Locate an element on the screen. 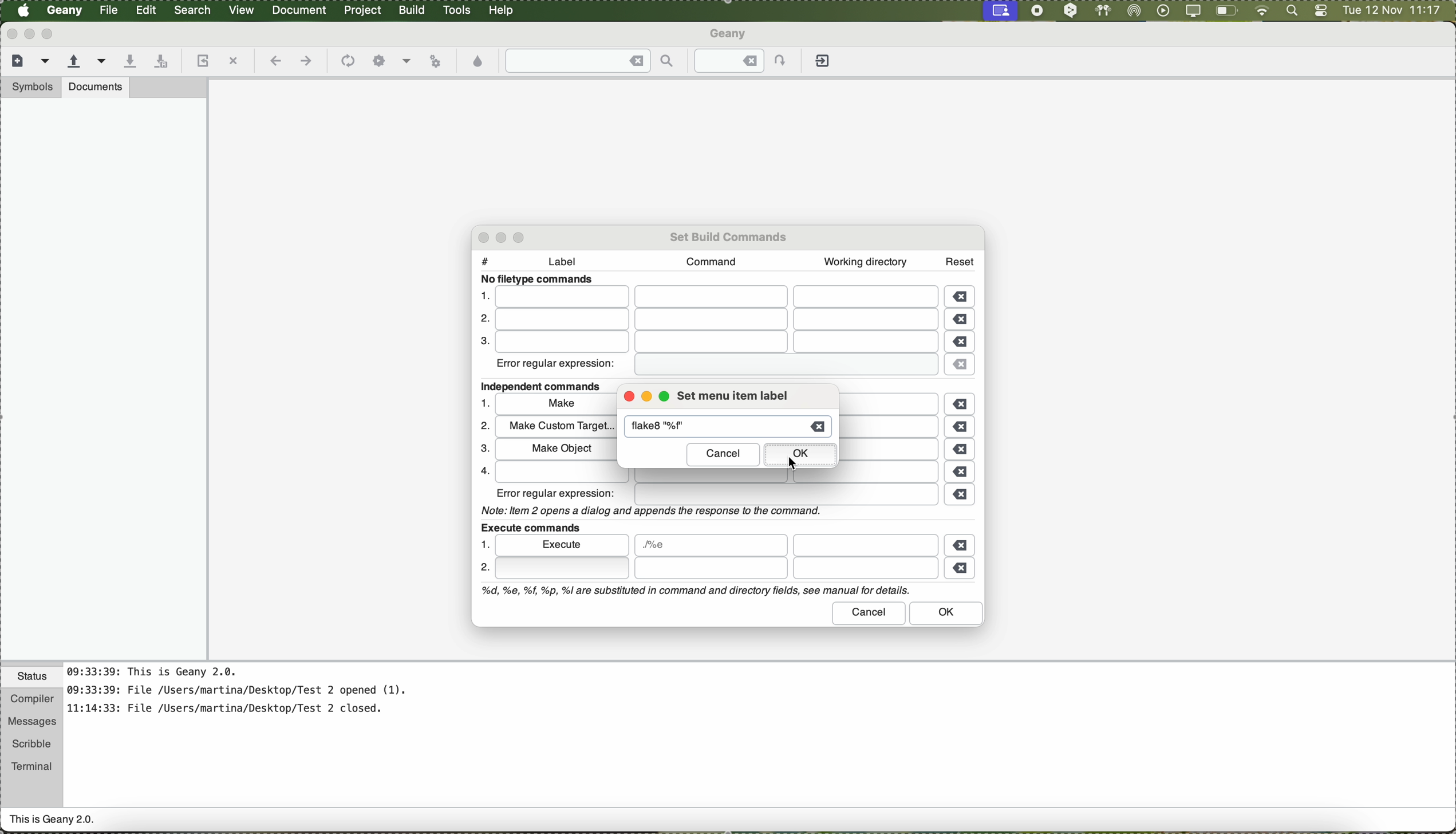 Image resolution: width=1456 pixels, height=834 pixels. Geany is located at coordinates (730, 35).